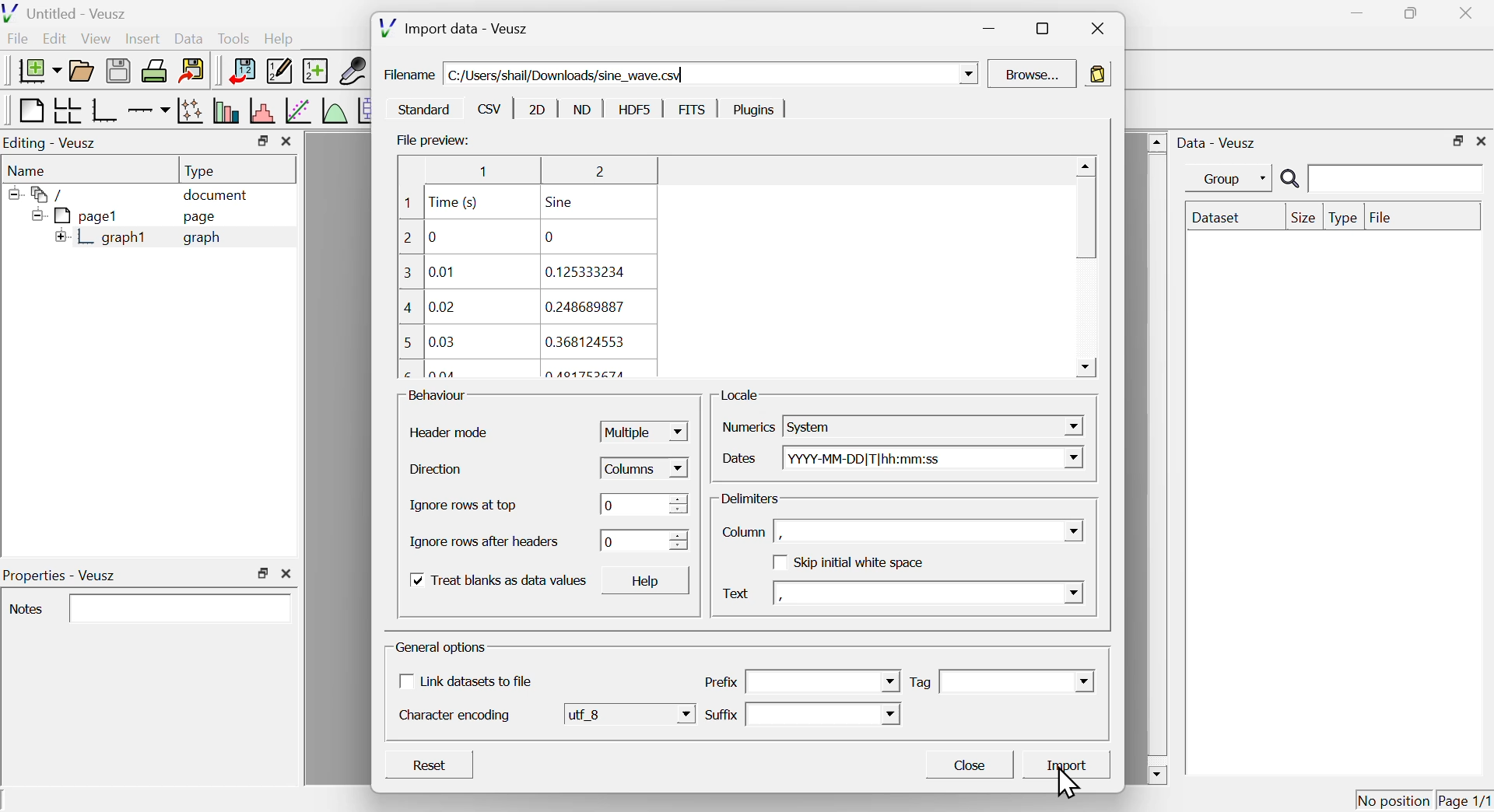  Describe the element at coordinates (1465, 797) in the screenshot. I see `page1/1` at that location.